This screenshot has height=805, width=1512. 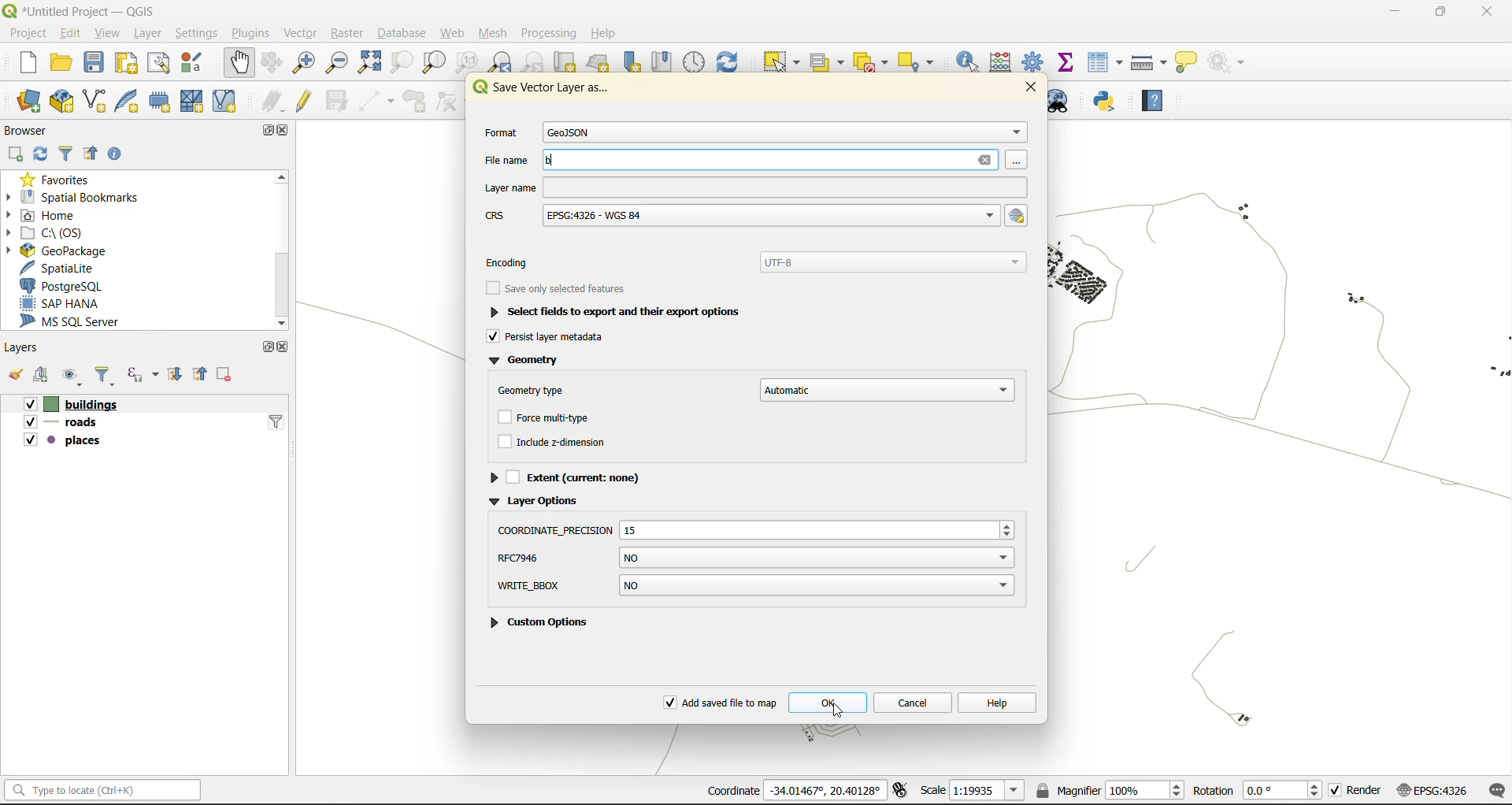 I want to click on pan selection, so click(x=272, y=61).